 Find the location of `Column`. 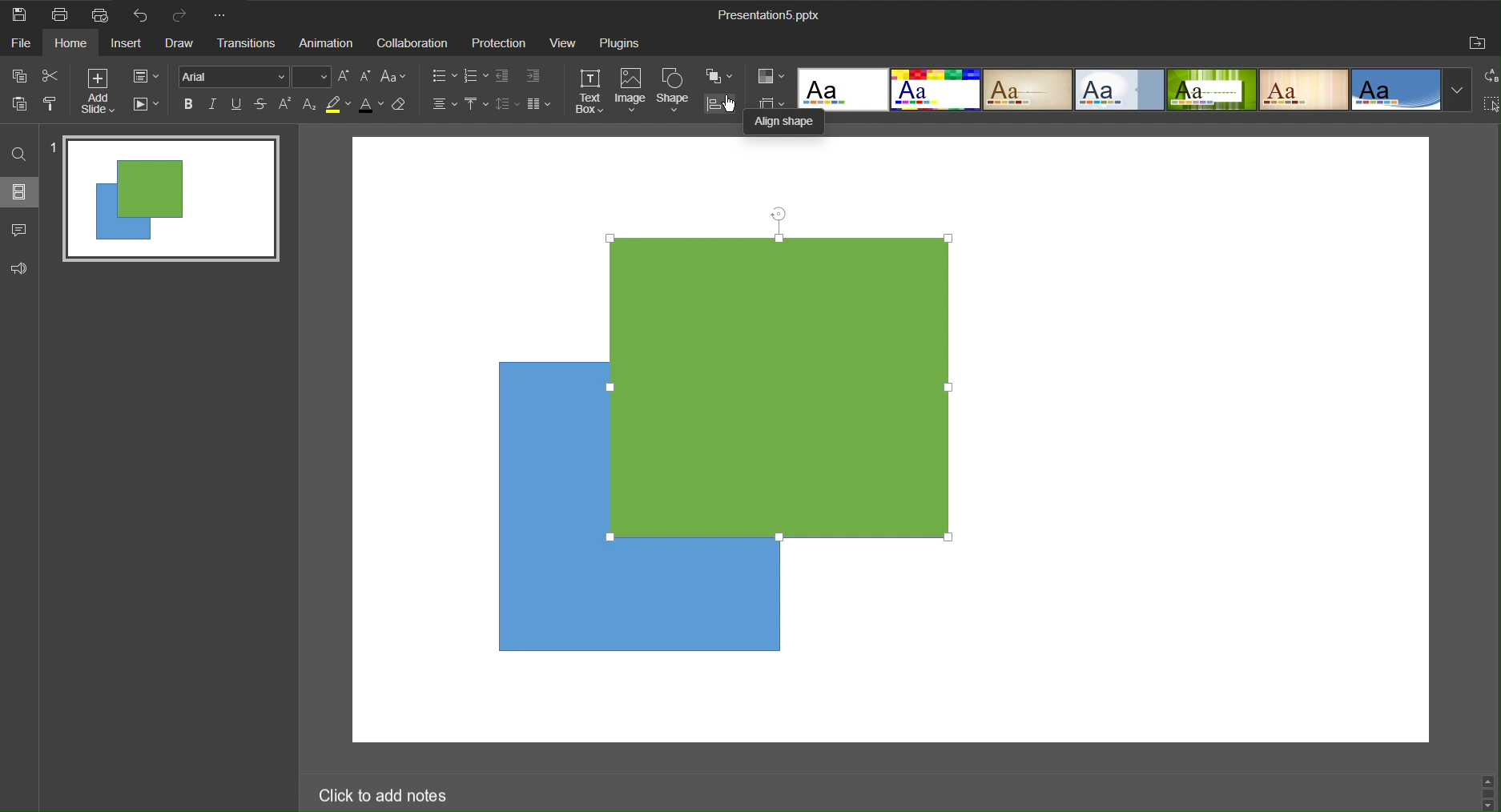

Column is located at coordinates (542, 106).